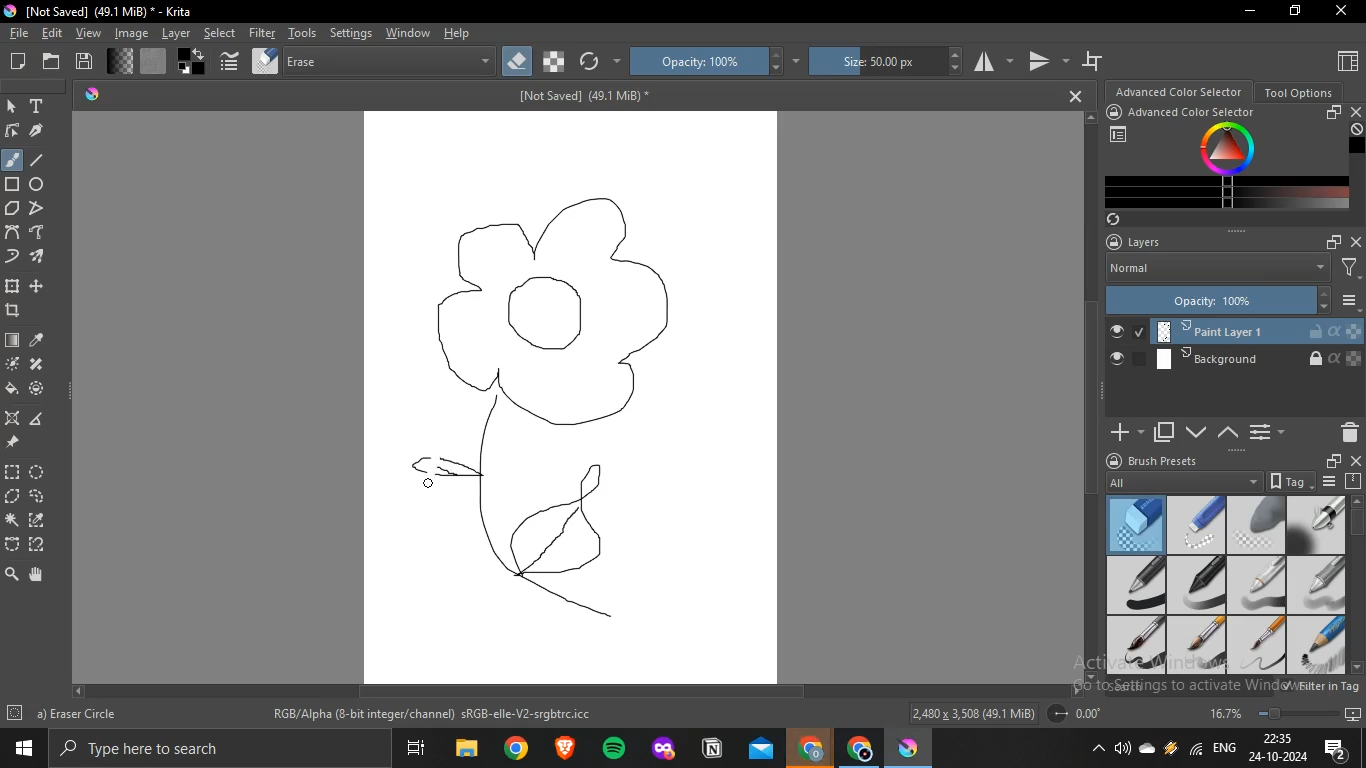  Describe the element at coordinates (1258, 646) in the screenshot. I see `basic 6 details` at that location.